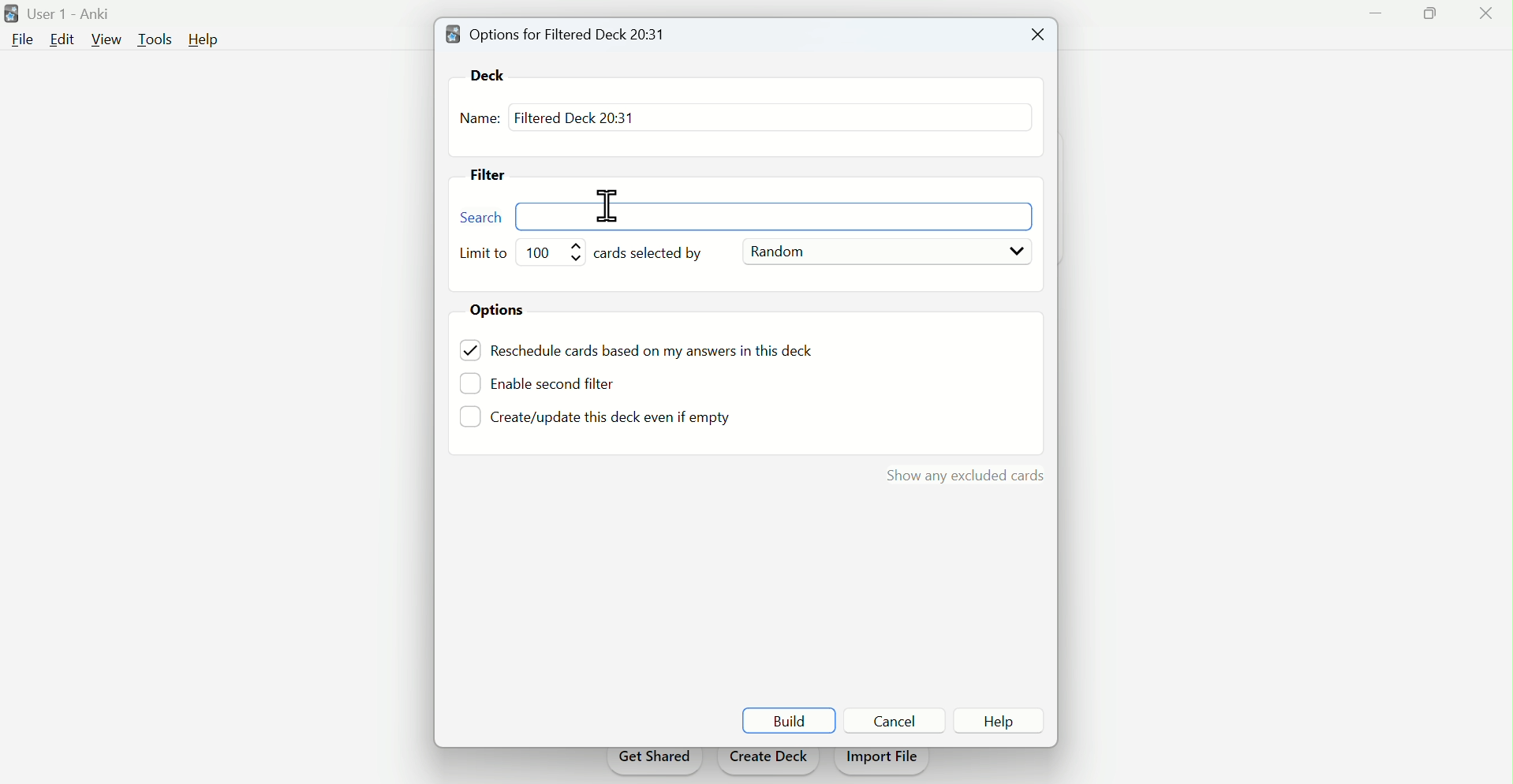 The width and height of the screenshot is (1513, 784). Describe the element at coordinates (1034, 35) in the screenshot. I see `Close tab` at that location.